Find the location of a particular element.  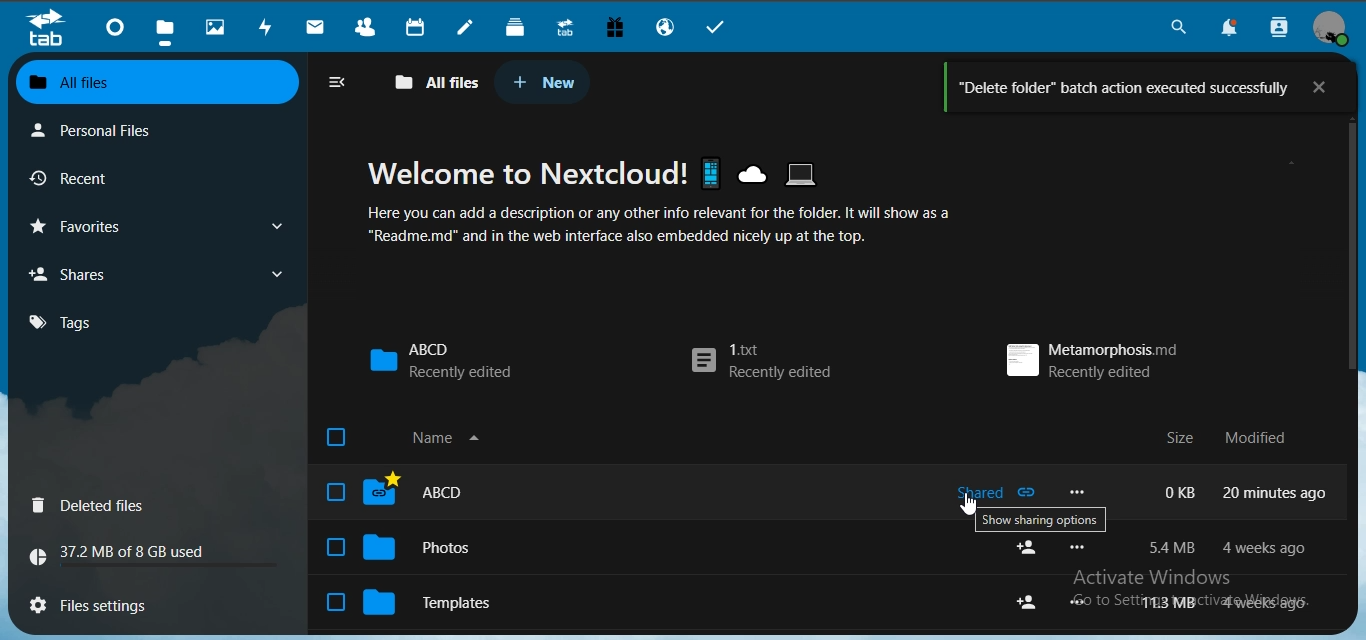

ABCD recently edited is located at coordinates (442, 360).